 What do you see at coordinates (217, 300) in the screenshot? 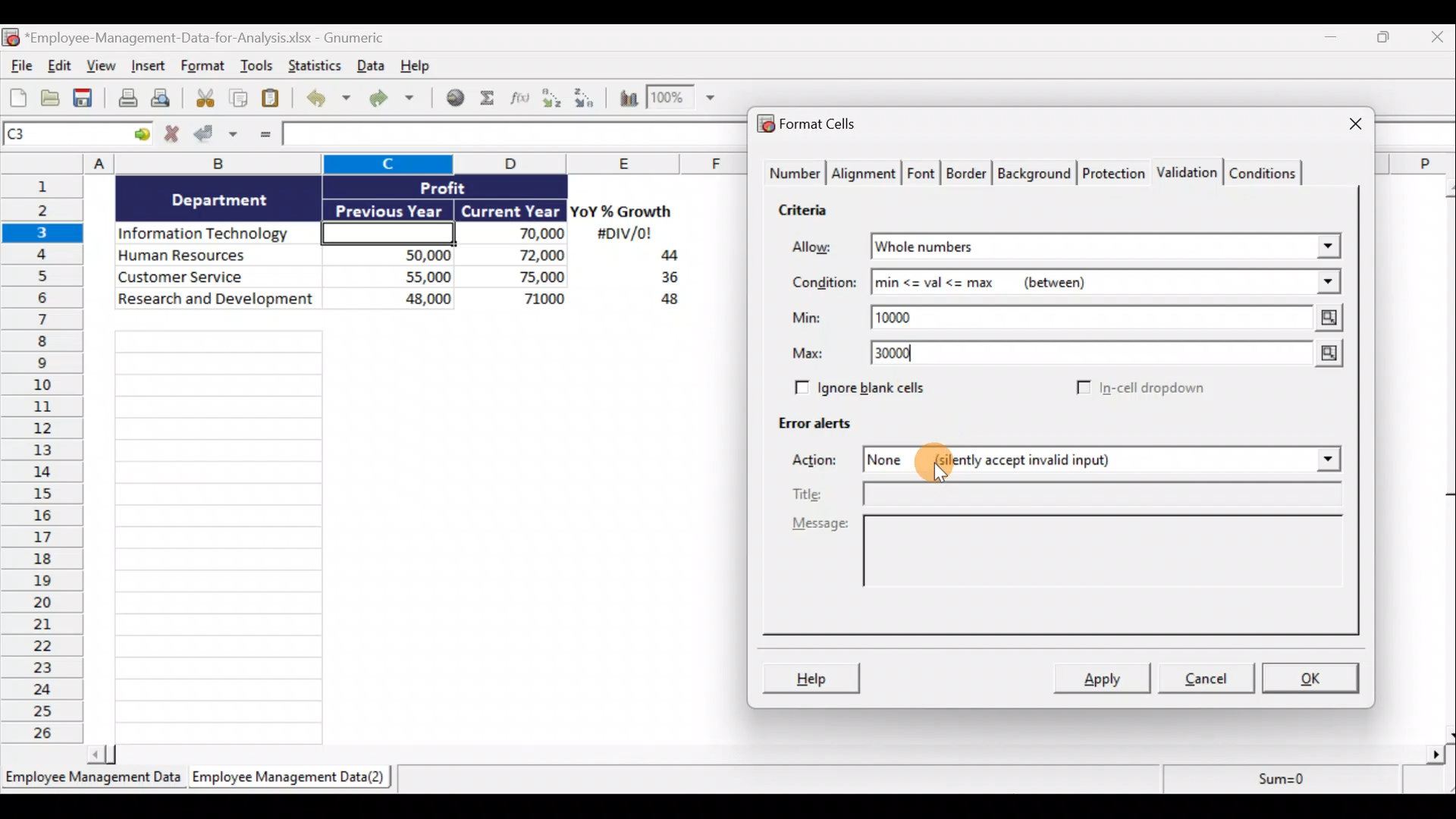
I see `Research and development` at bounding box center [217, 300].